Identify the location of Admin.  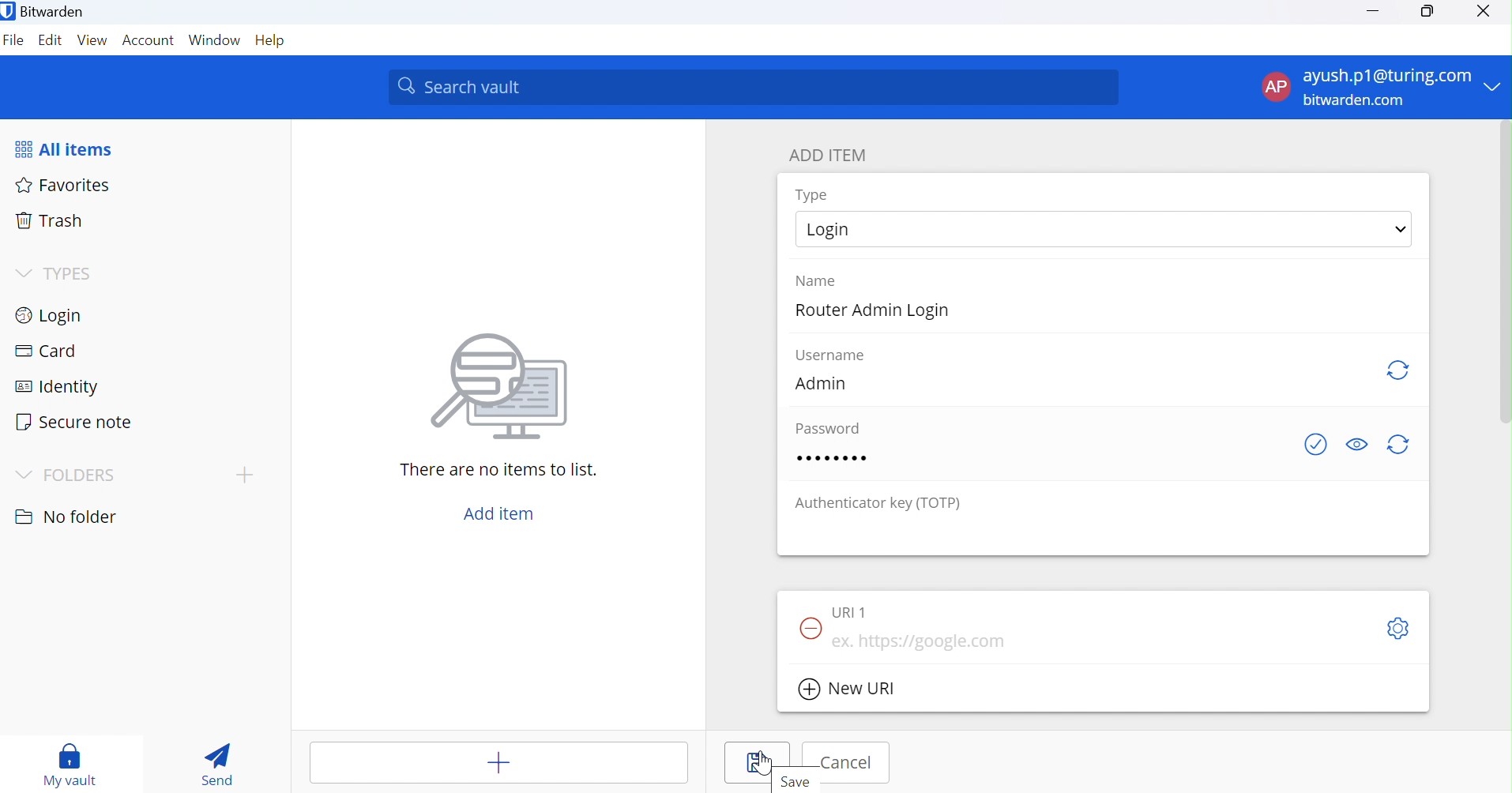
(826, 384).